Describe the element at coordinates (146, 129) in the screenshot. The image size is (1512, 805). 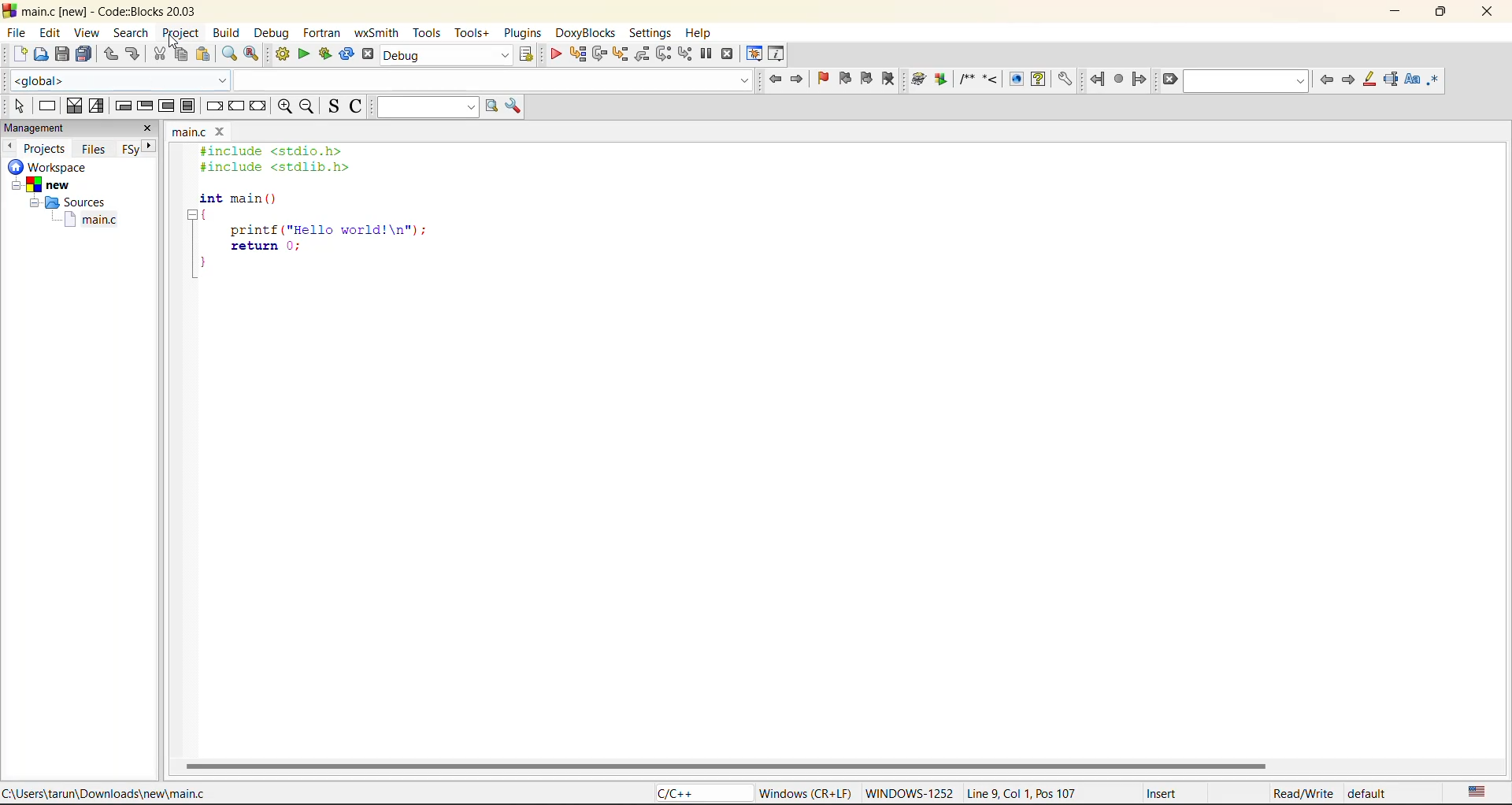
I see `close` at that location.